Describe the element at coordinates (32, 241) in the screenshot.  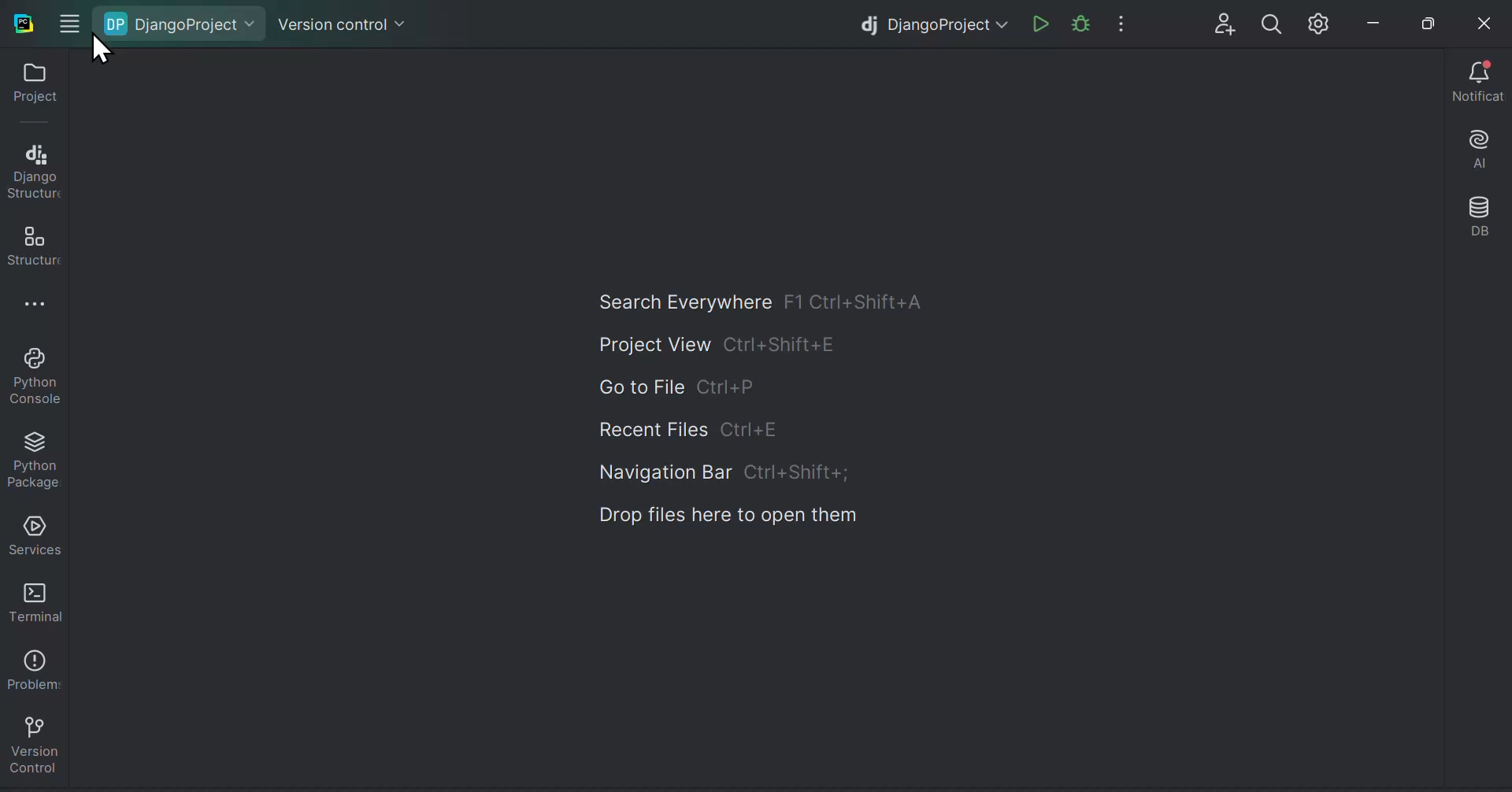
I see `Structures` at that location.